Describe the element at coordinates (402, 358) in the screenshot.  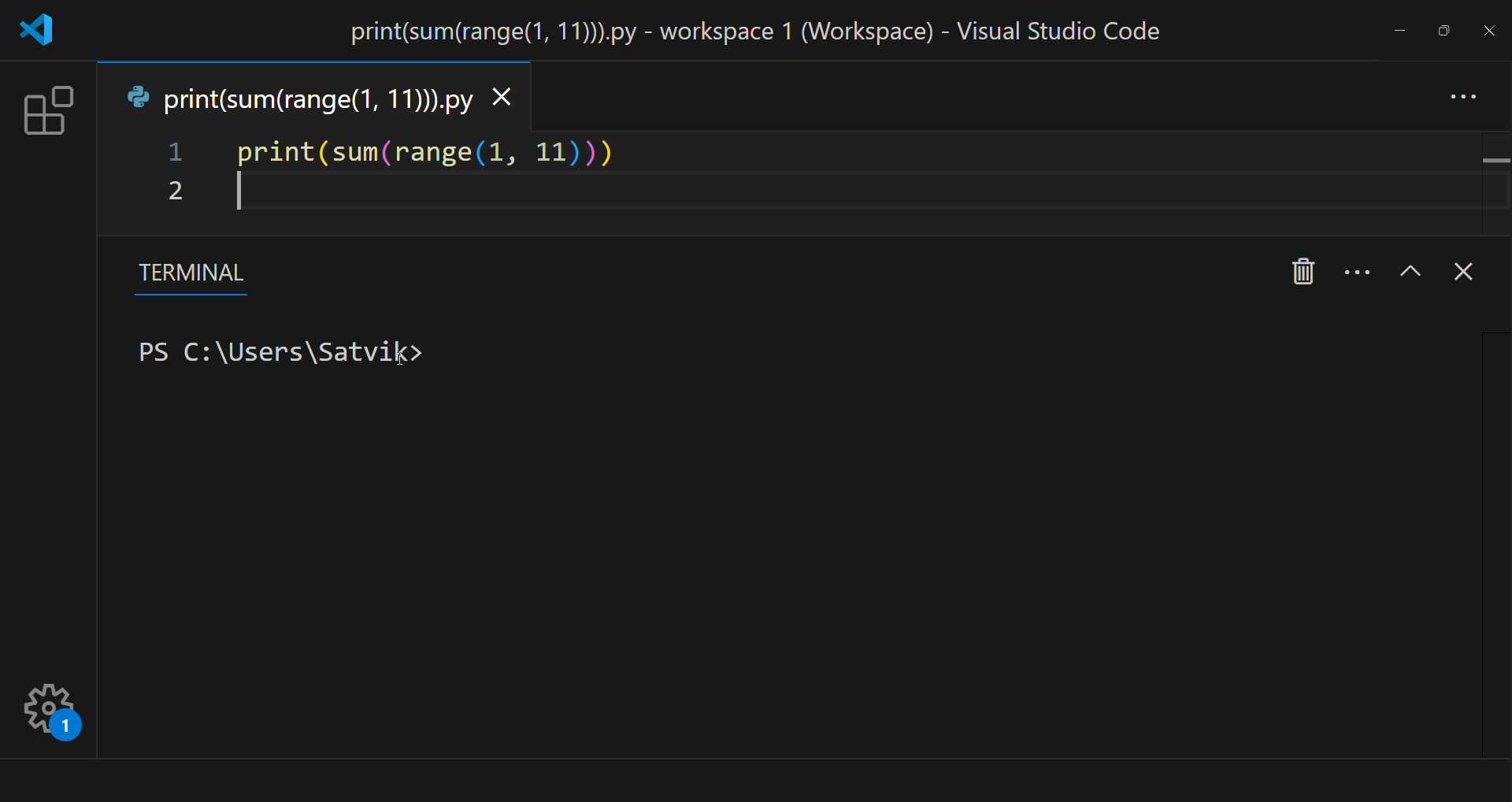
I see `cursor` at that location.